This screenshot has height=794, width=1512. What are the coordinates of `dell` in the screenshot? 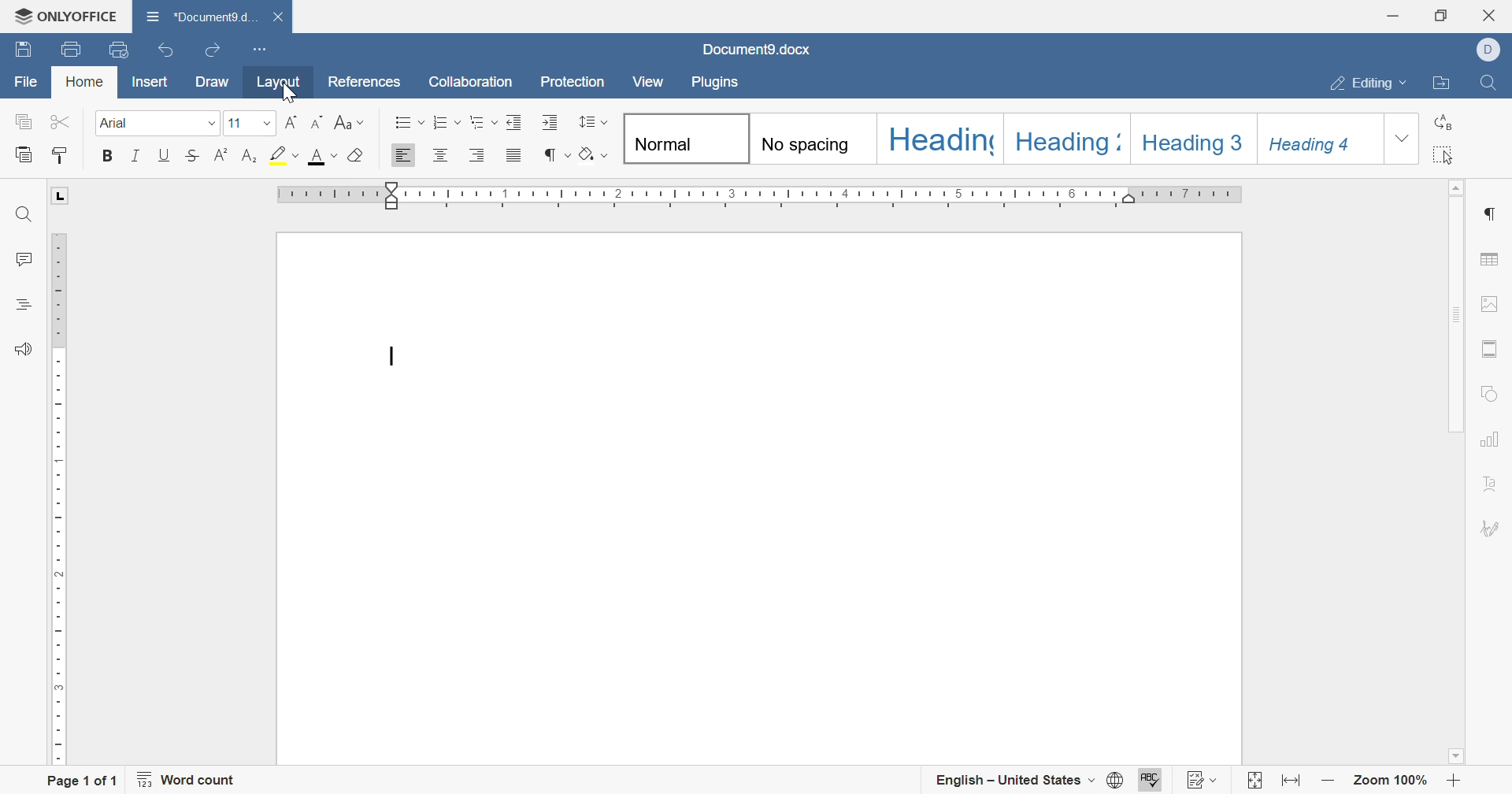 It's located at (1494, 50).